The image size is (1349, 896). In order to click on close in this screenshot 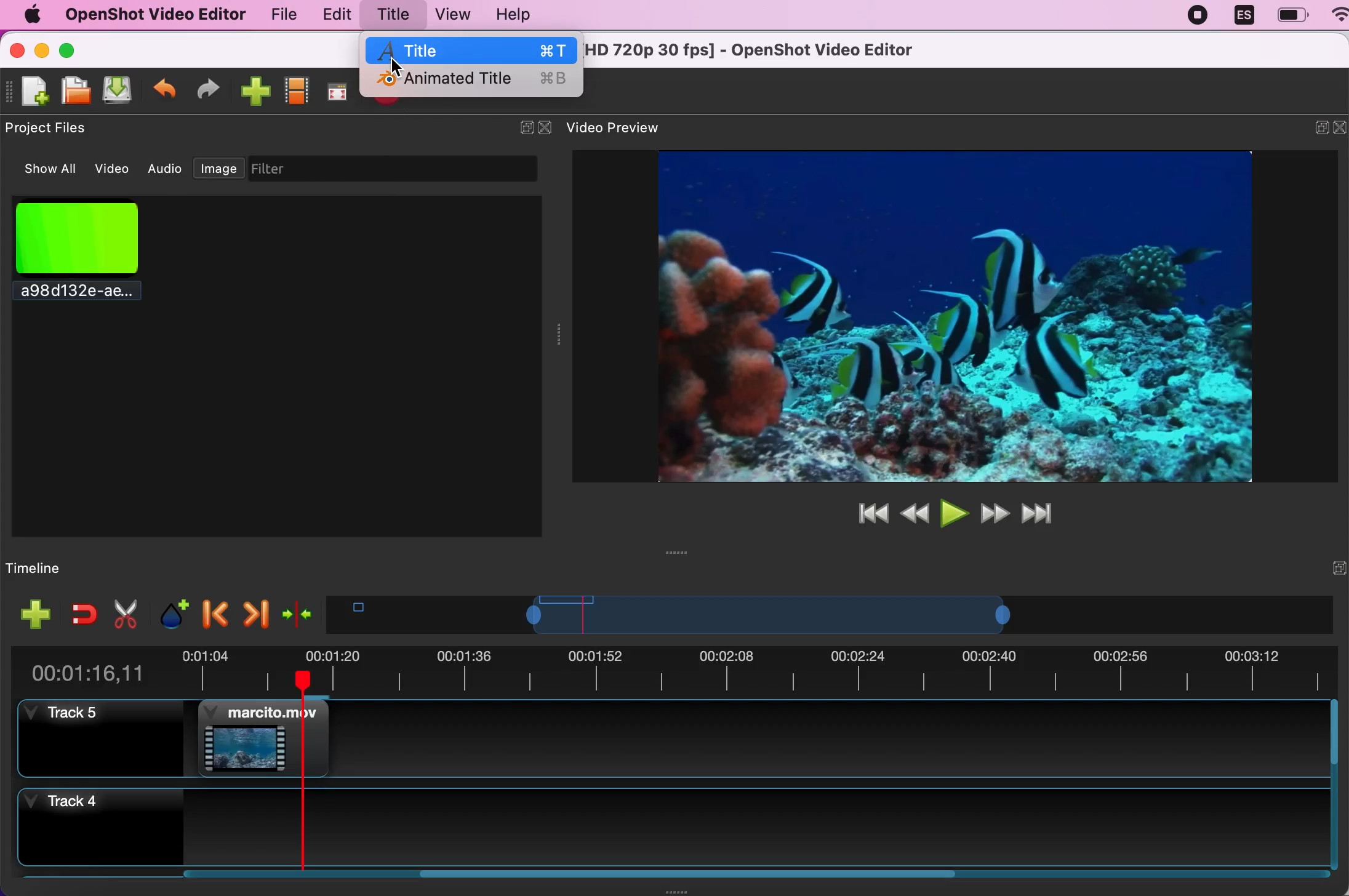, I will do `click(17, 49)`.